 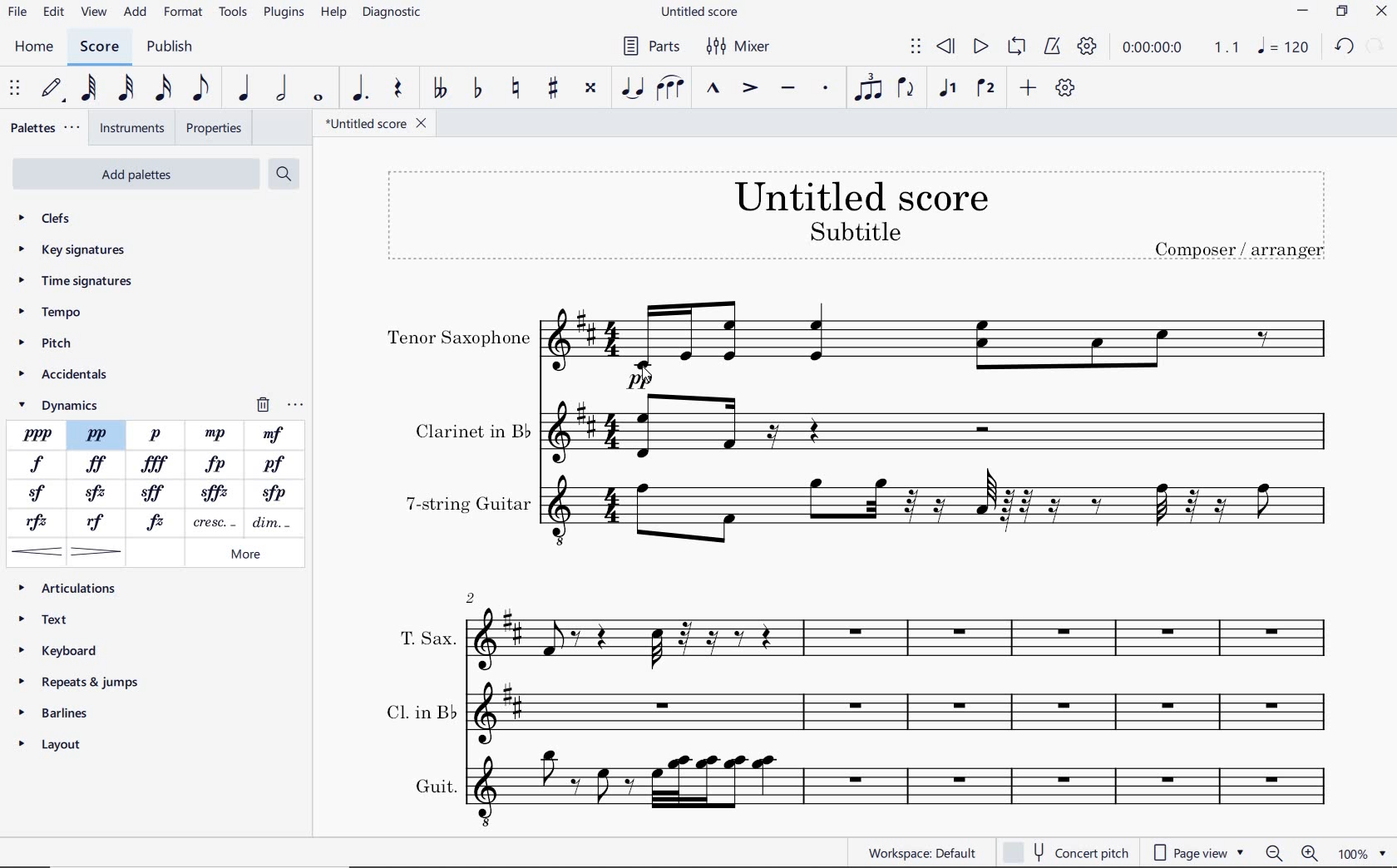 I want to click on FLIP DIRECTION, so click(x=910, y=88).